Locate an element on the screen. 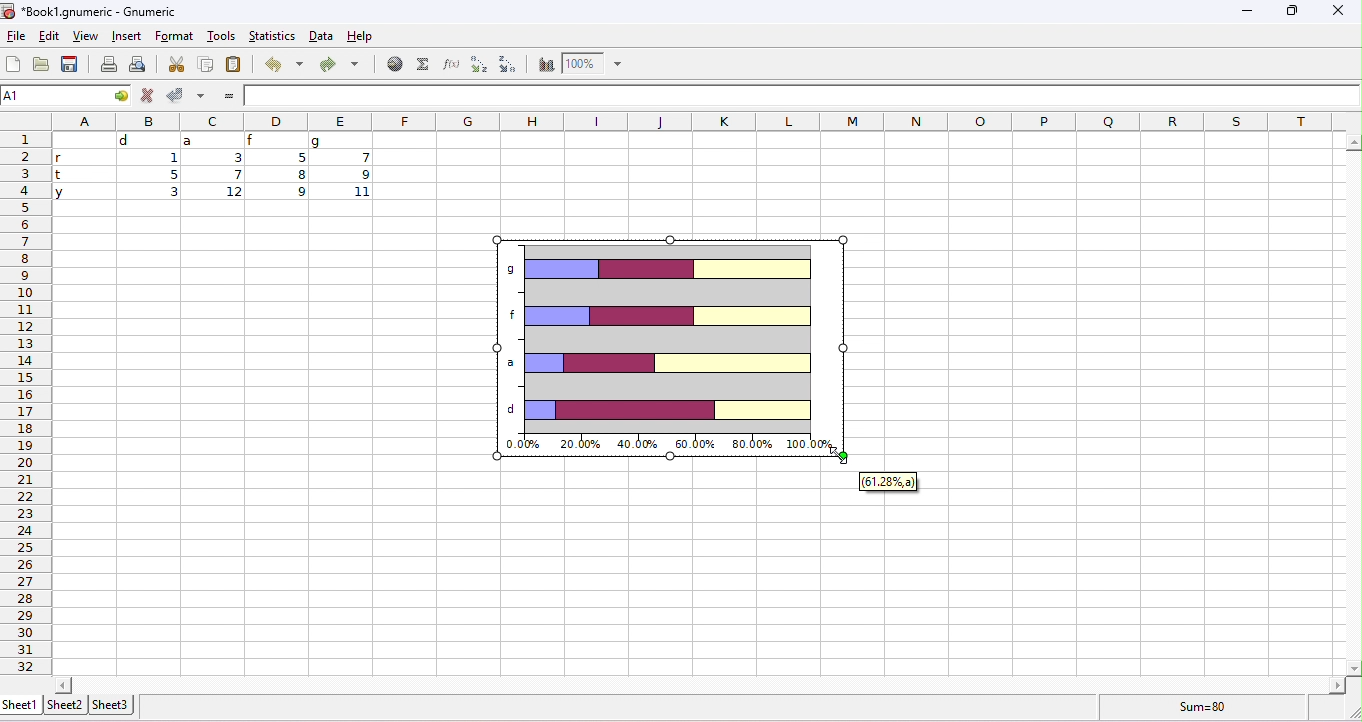 Image resolution: width=1362 pixels, height=722 pixels. data is located at coordinates (320, 36).